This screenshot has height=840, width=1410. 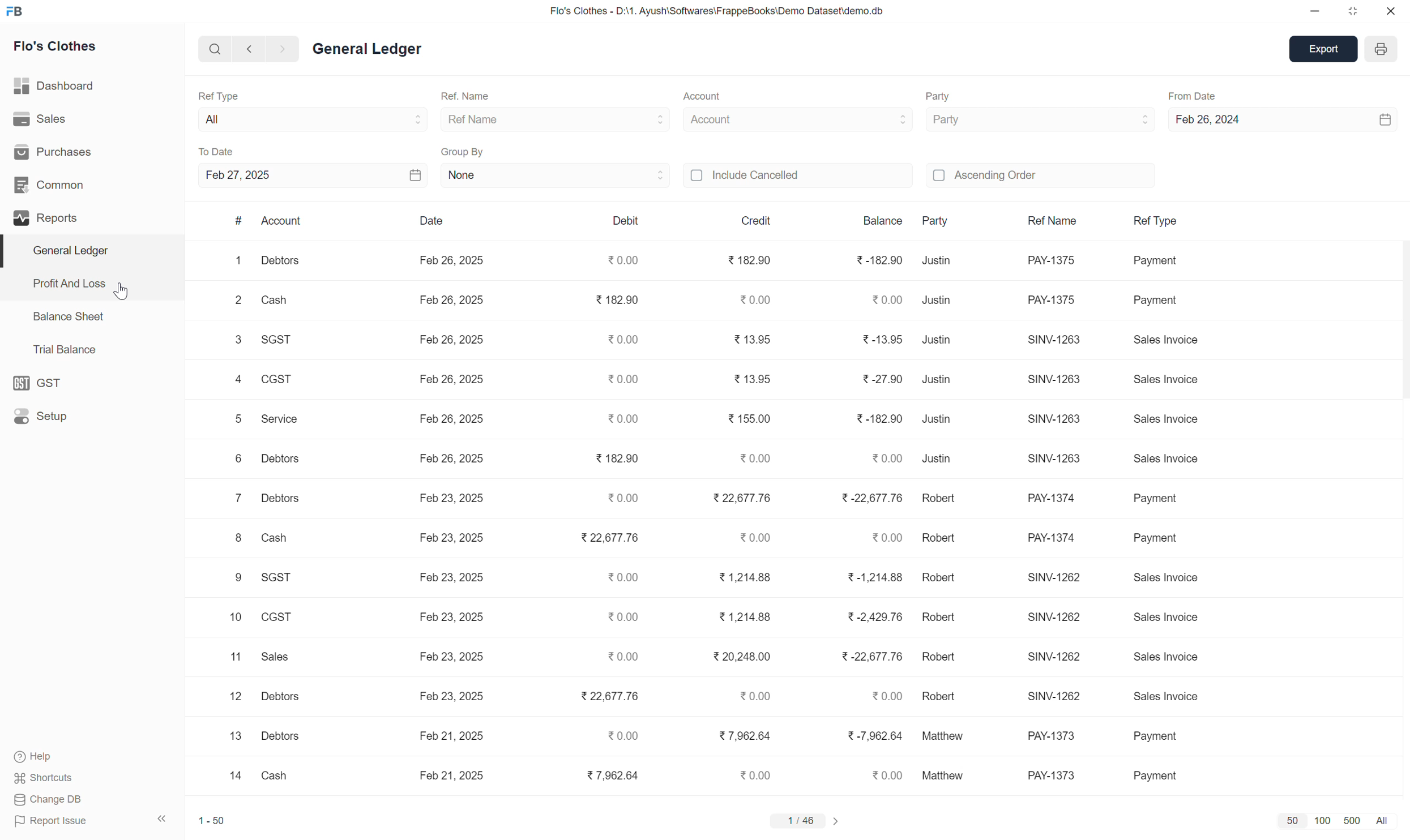 What do you see at coordinates (714, 94) in the screenshot?
I see `Account` at bounding box center [714, 94].